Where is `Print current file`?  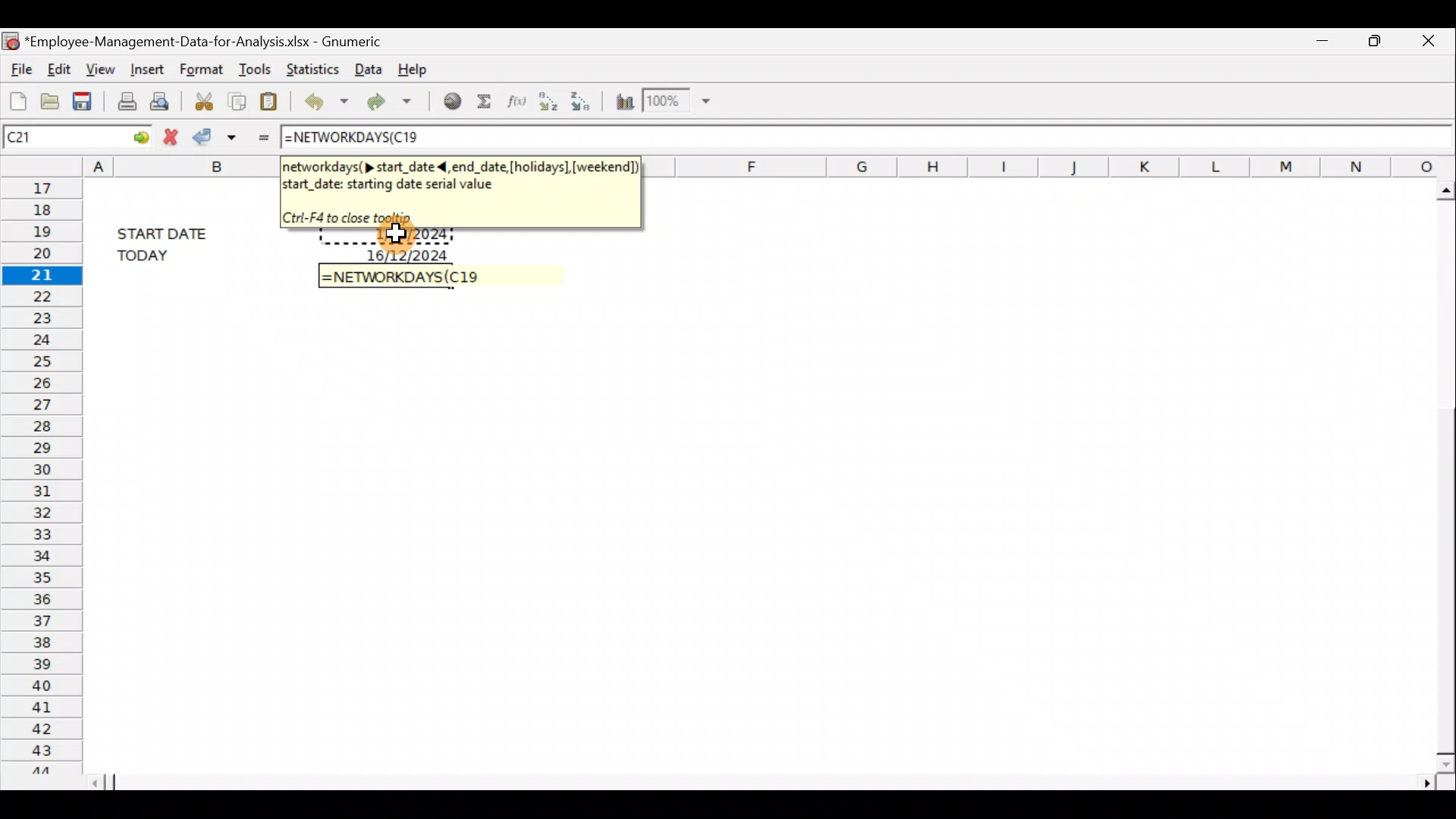
Print current file is located at coordinates (124, 100).